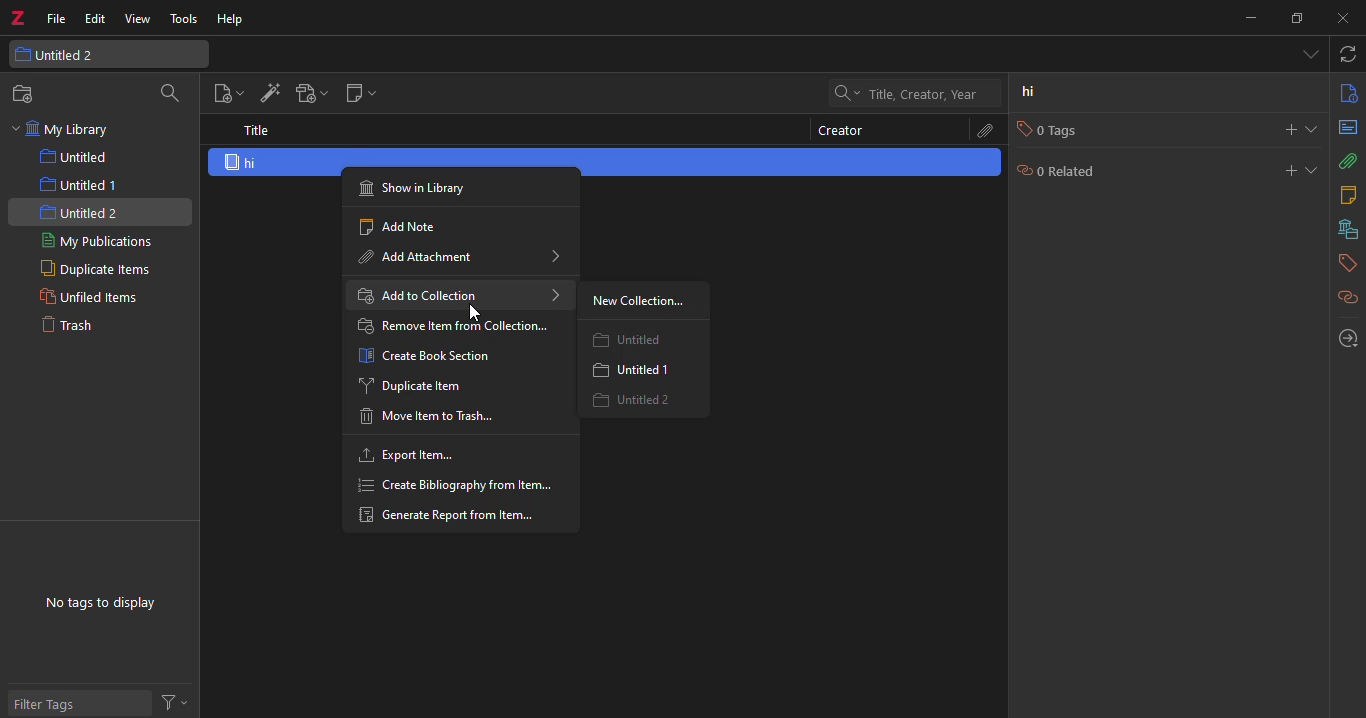 The width and height of the screenshot is (1366, 718). I want to click on z, so click(21, 19).